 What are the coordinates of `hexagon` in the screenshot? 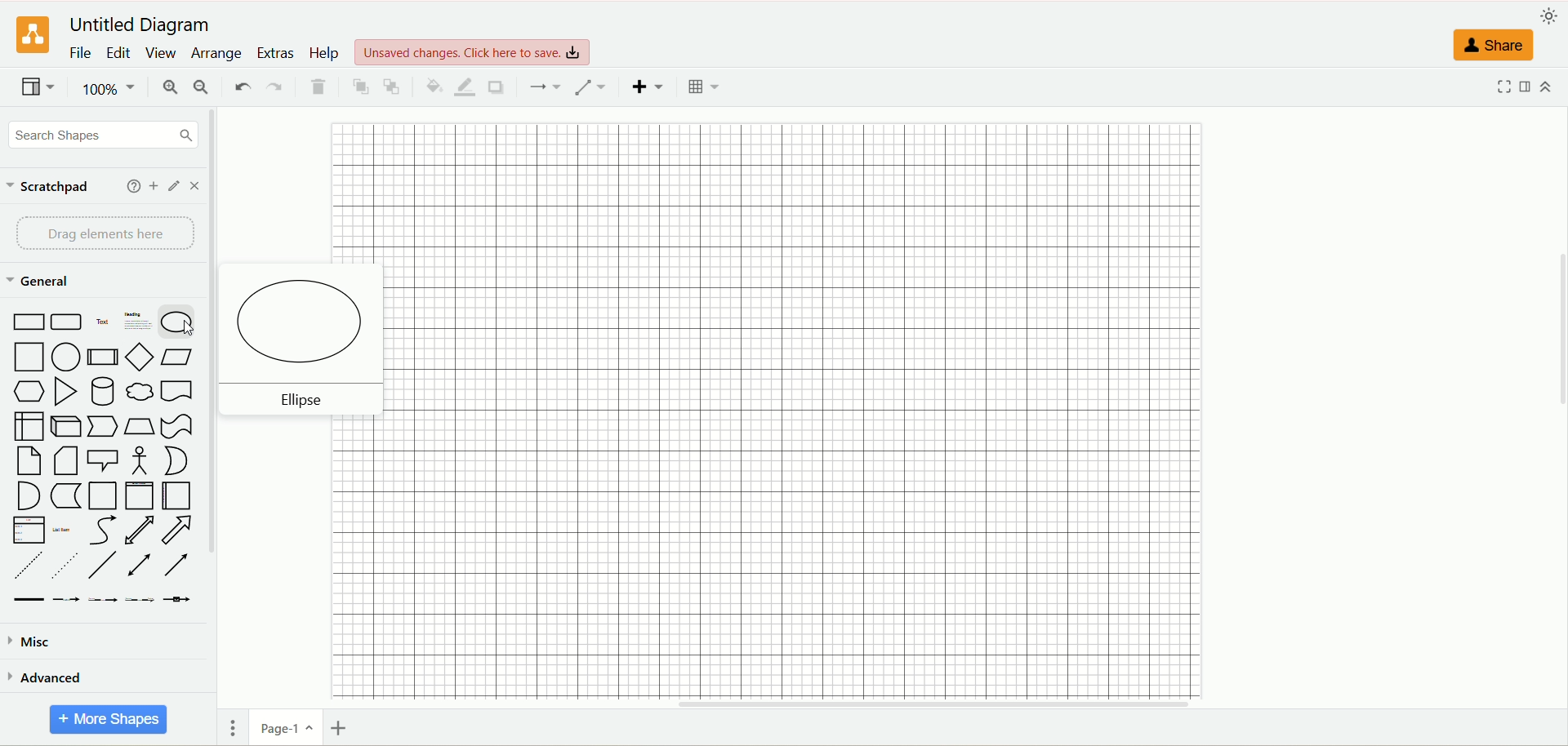 It's located at (29, 391).